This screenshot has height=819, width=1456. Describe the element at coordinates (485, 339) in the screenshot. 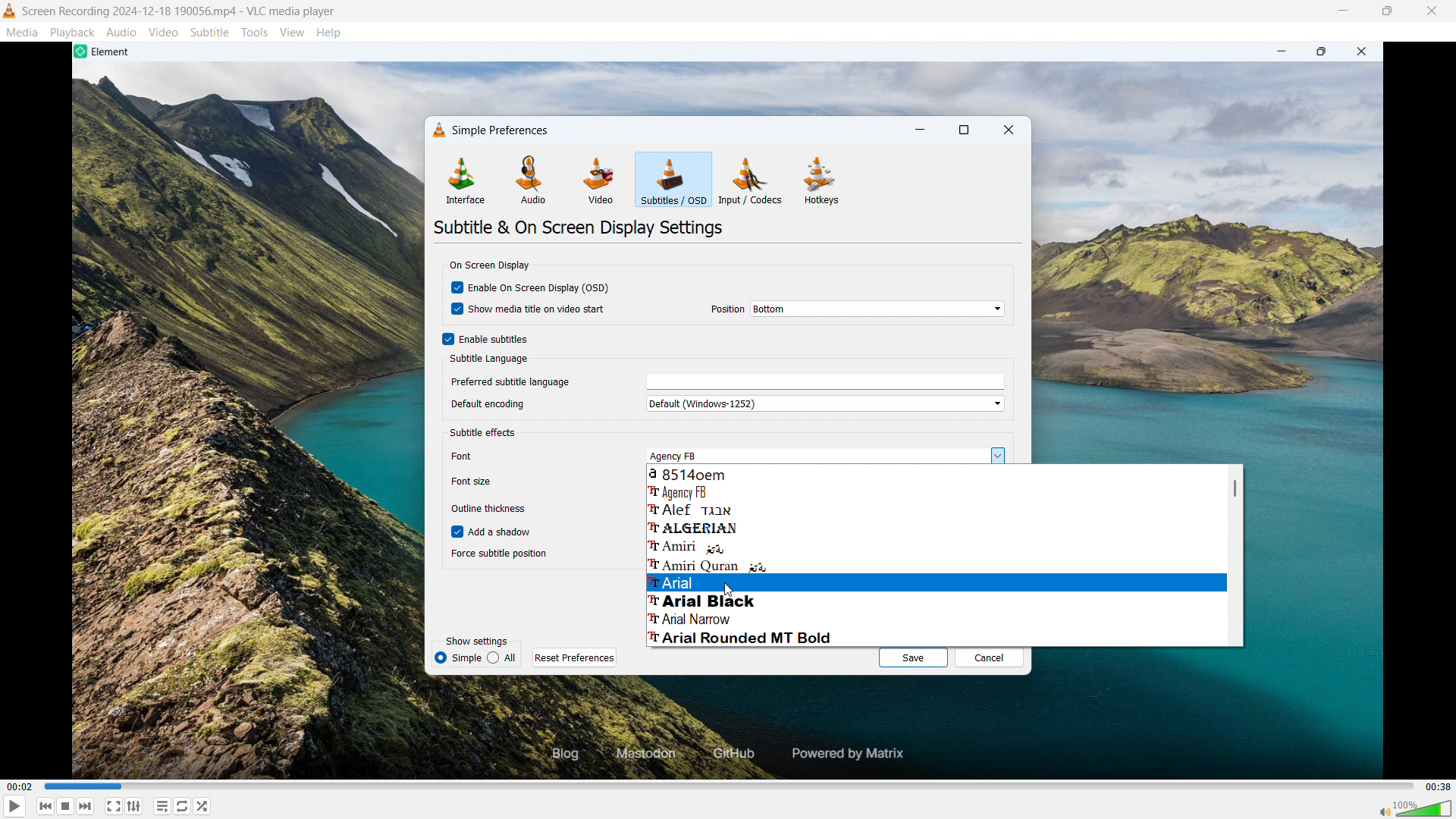

I see `enable subtitles` at that location.